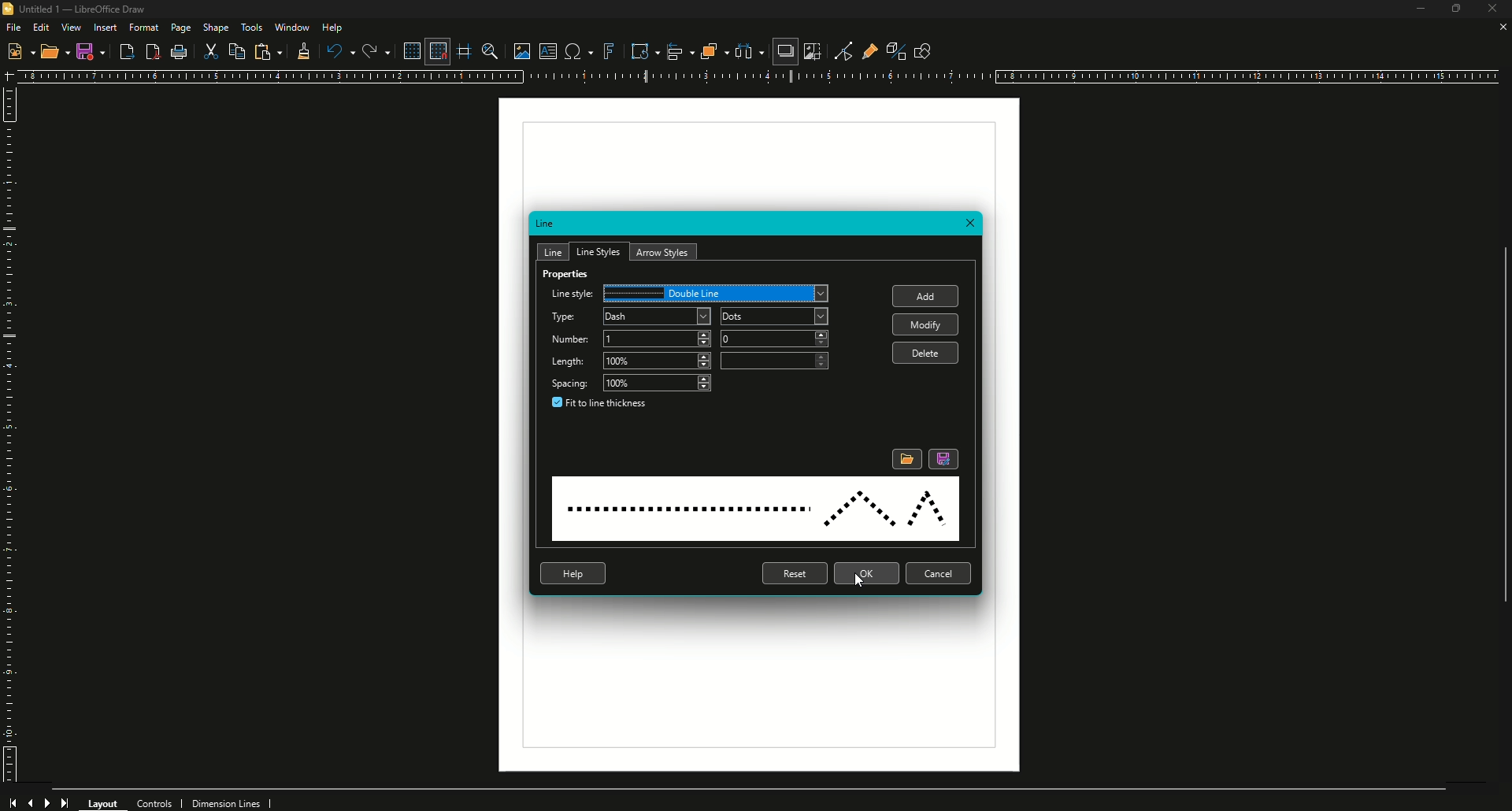  What do you see at coordinates (749, 52) in the screenshot?
I see `Select three objects` at bounding box center [749, 52].